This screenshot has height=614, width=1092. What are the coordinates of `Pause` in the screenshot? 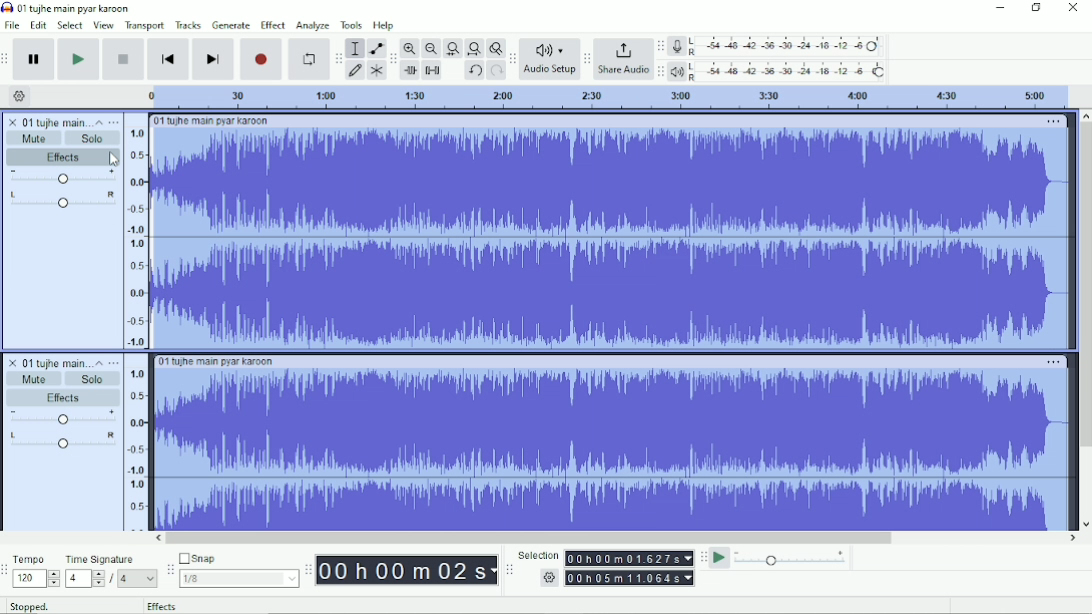 It's located at (36, 59).